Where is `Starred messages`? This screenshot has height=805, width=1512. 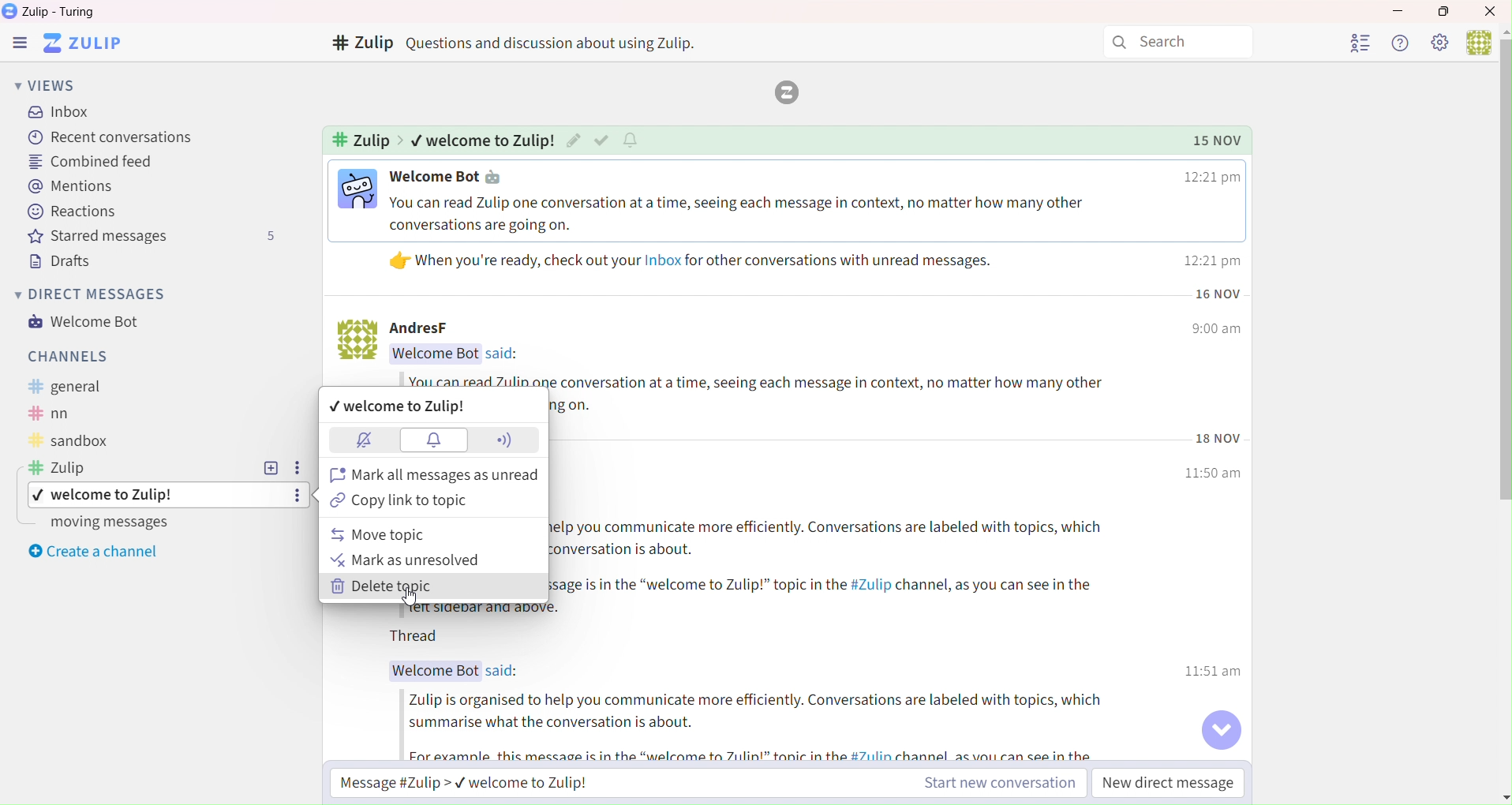
Starred messages is located at coordinates (147, 236).